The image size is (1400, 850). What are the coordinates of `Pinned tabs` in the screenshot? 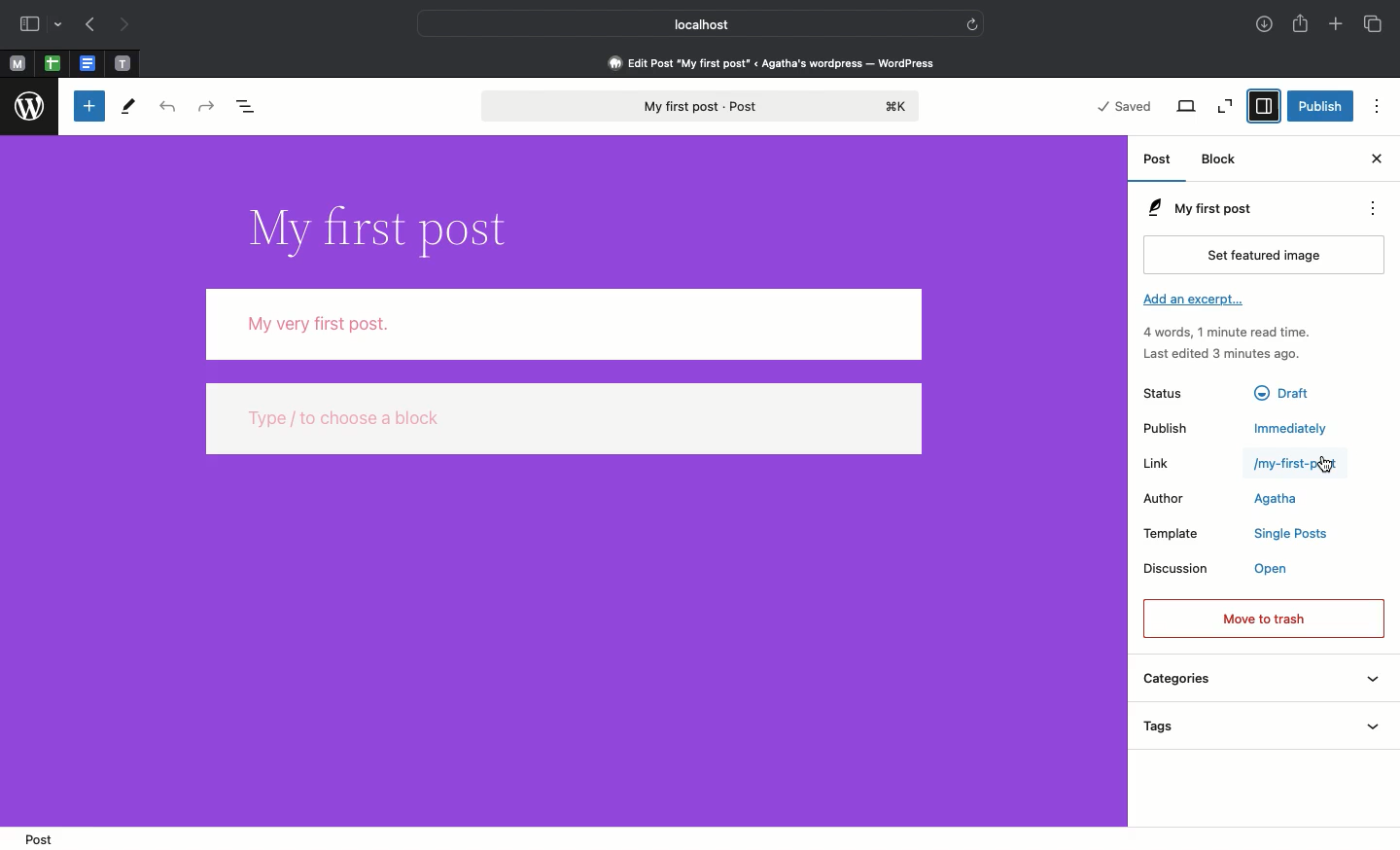 It's located at (18, 63).